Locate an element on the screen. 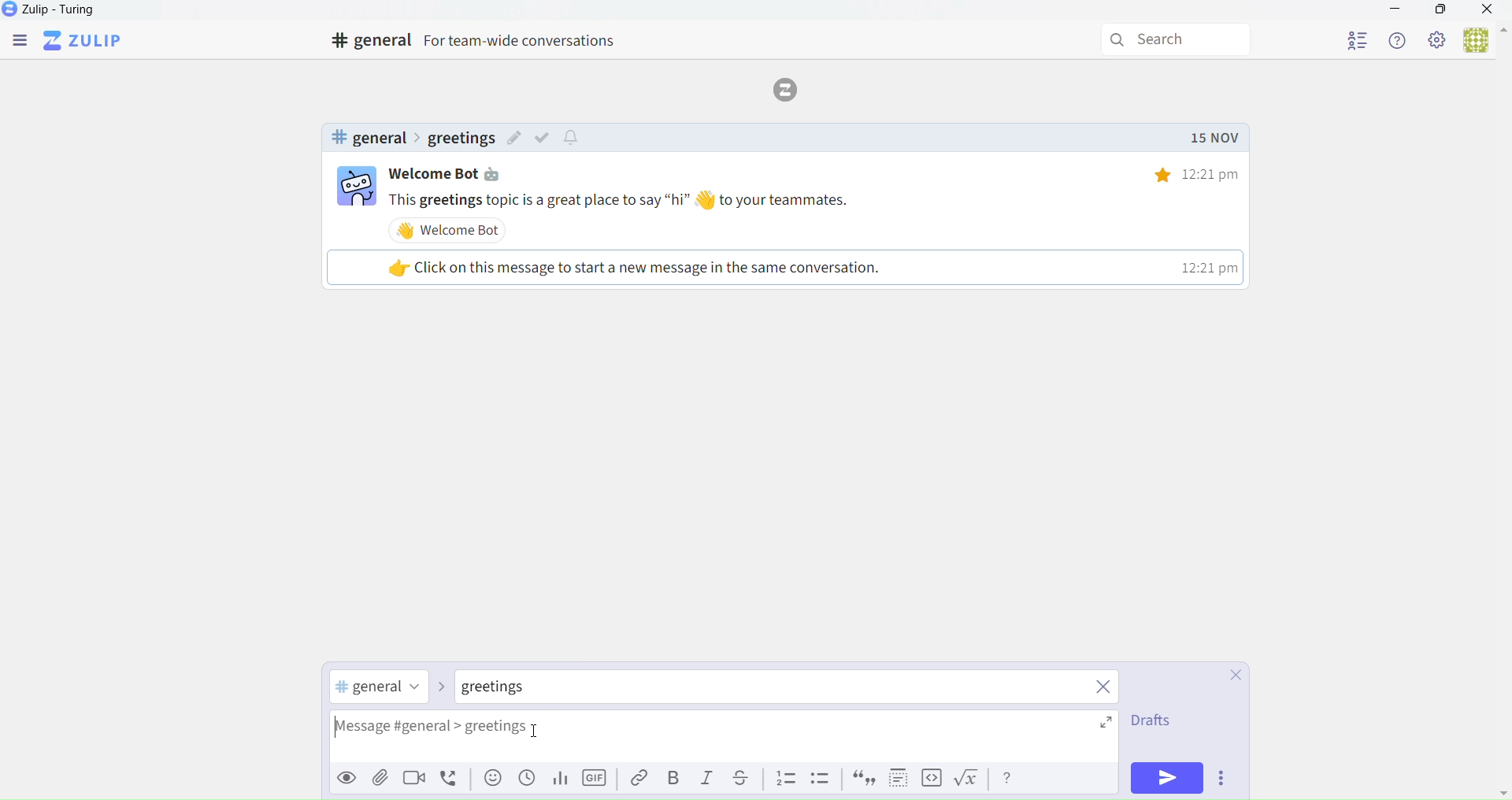  Help is located at coordinates (1399, 40).